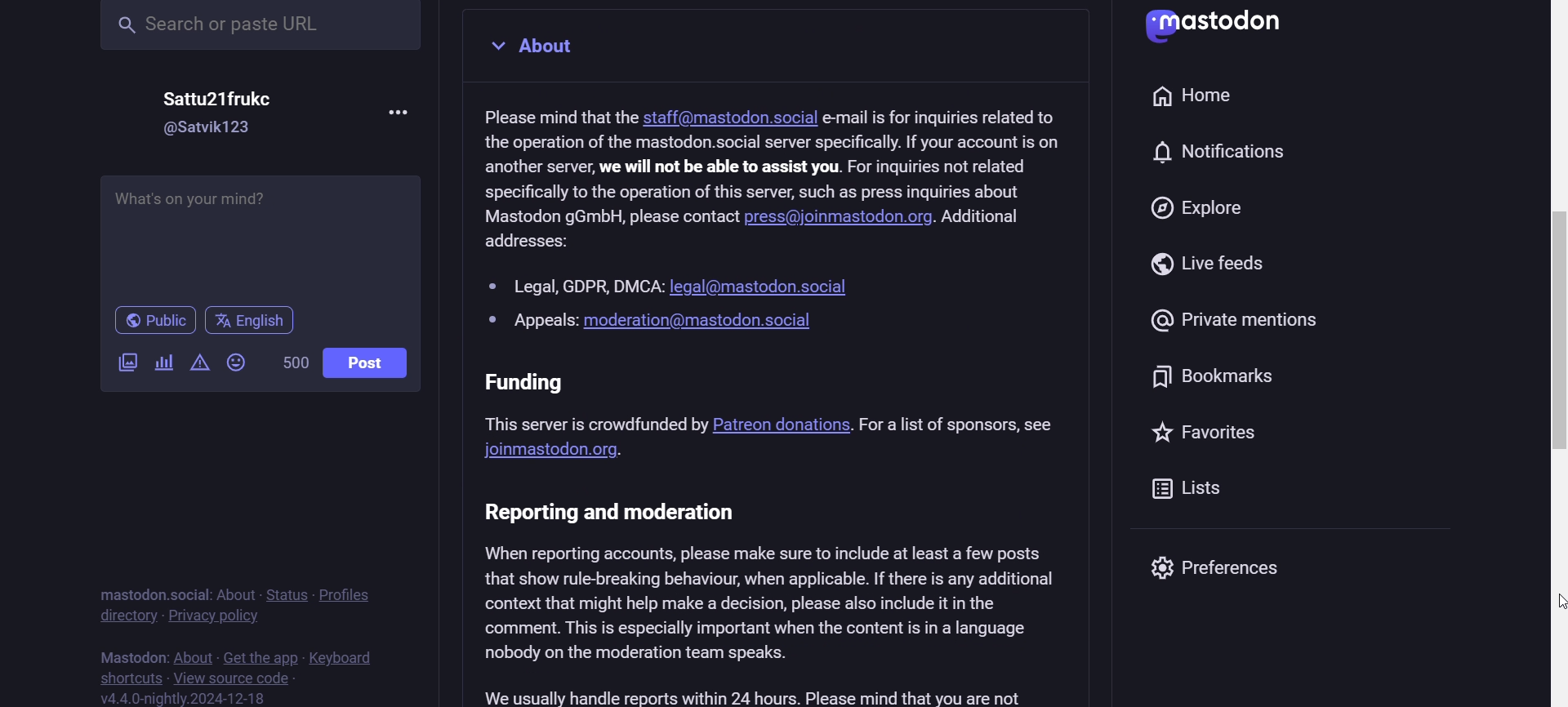  What do you see at coordinates (214, 616) in the screenshot?
I see `privacy policy` at bounding box center [214, 616].